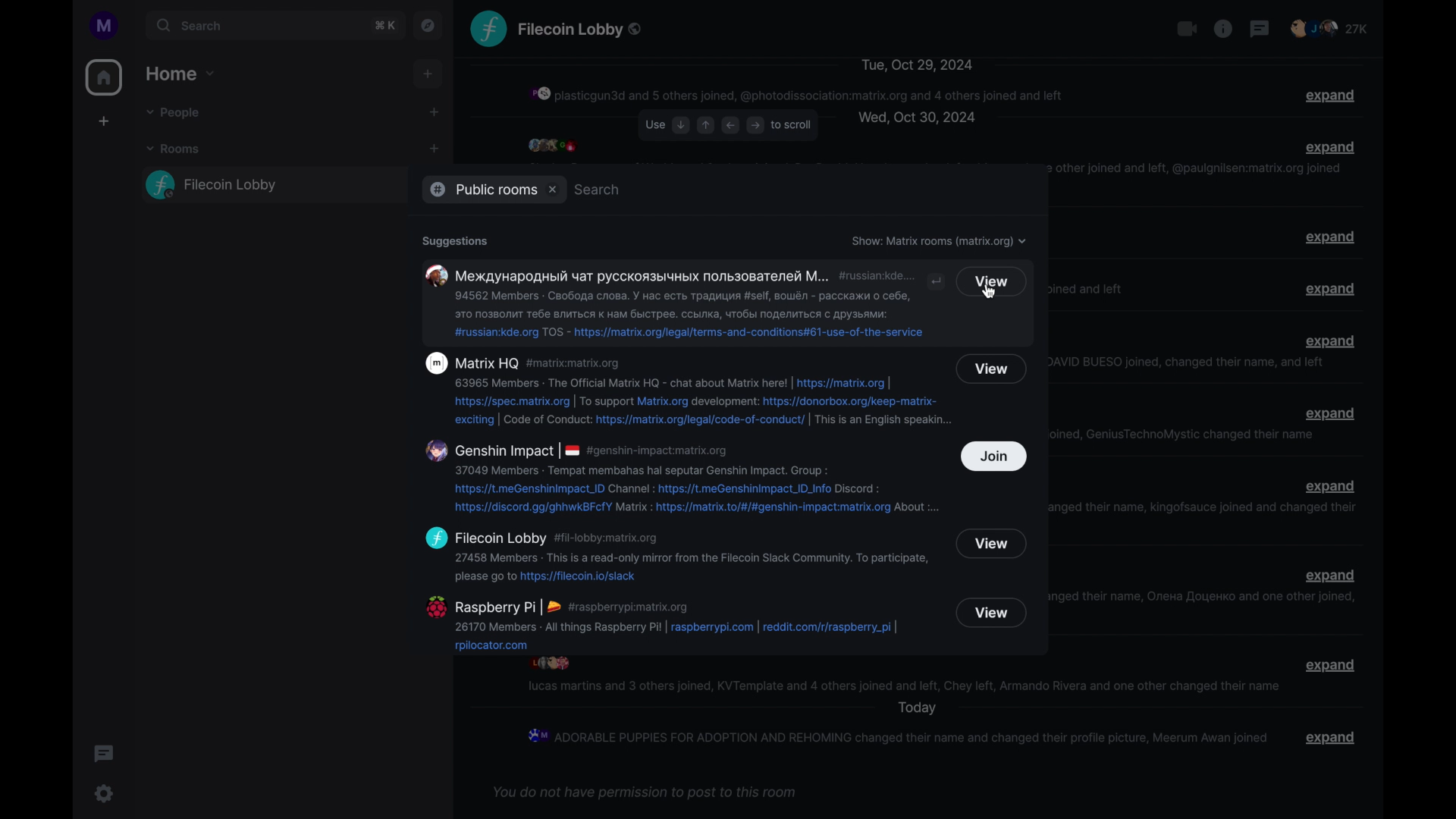 Image resolution: width=1456 pixels, height=819 pixels. Describe the element at coordinates (488, 28) in the screenshot. I see `flecoin lobby display picture` at that location.